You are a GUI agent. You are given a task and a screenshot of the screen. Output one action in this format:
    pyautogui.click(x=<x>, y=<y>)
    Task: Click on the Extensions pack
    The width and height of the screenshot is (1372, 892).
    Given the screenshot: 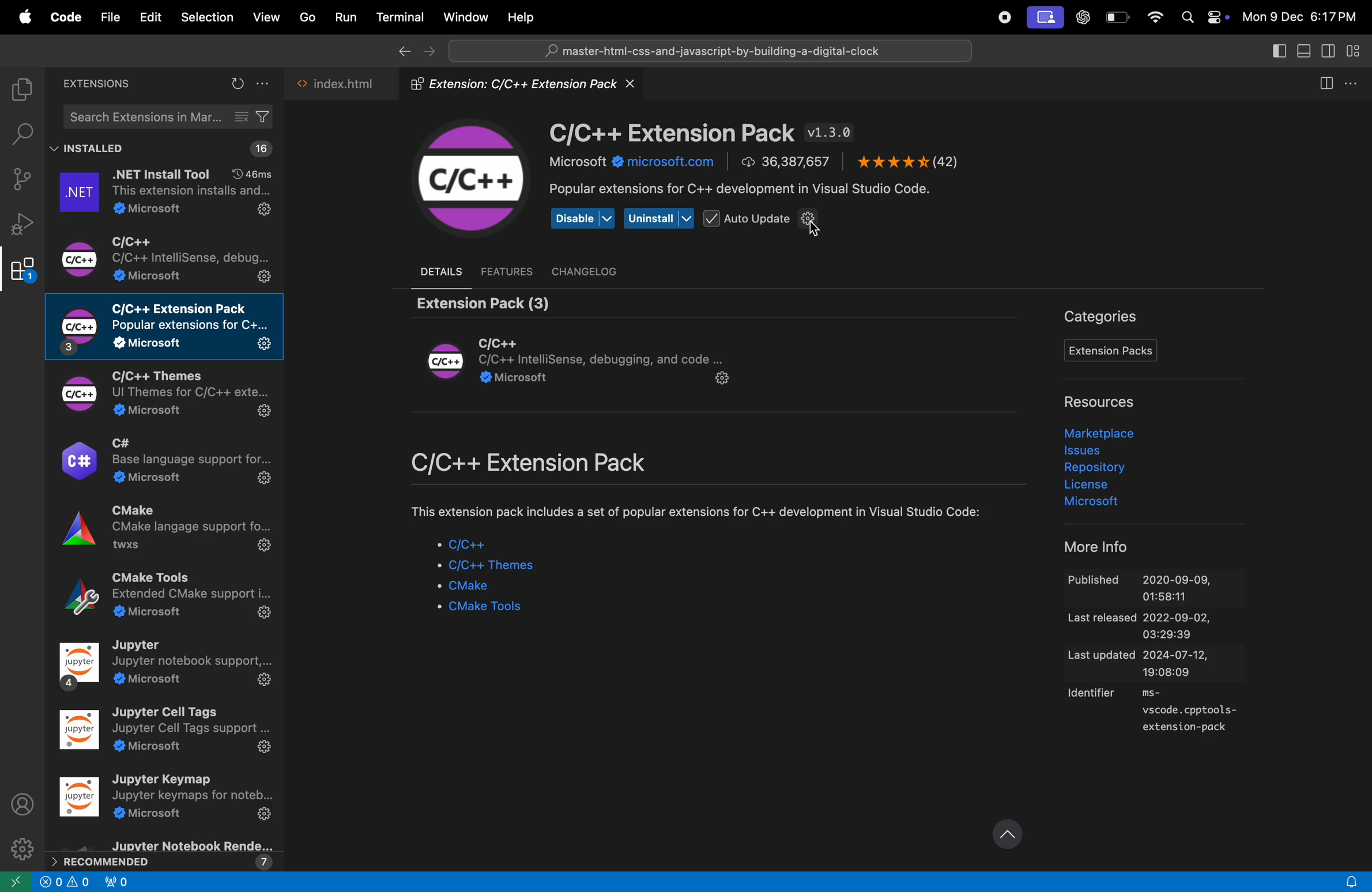 What is the action you would take?
    pyautogui.click(x=1111, y=351)
    